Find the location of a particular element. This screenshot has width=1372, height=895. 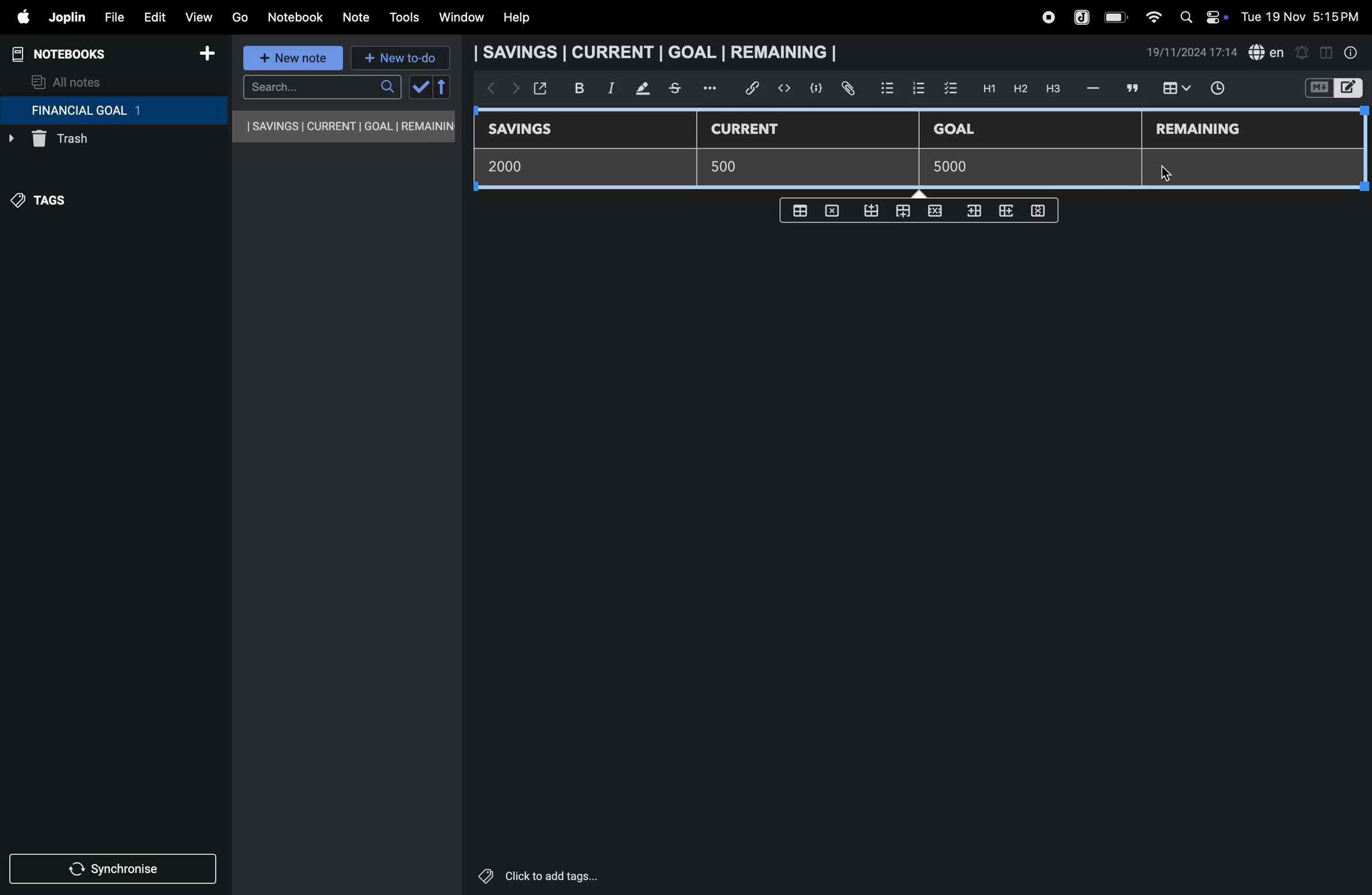

hifen is located at coordinates (1095, 88).